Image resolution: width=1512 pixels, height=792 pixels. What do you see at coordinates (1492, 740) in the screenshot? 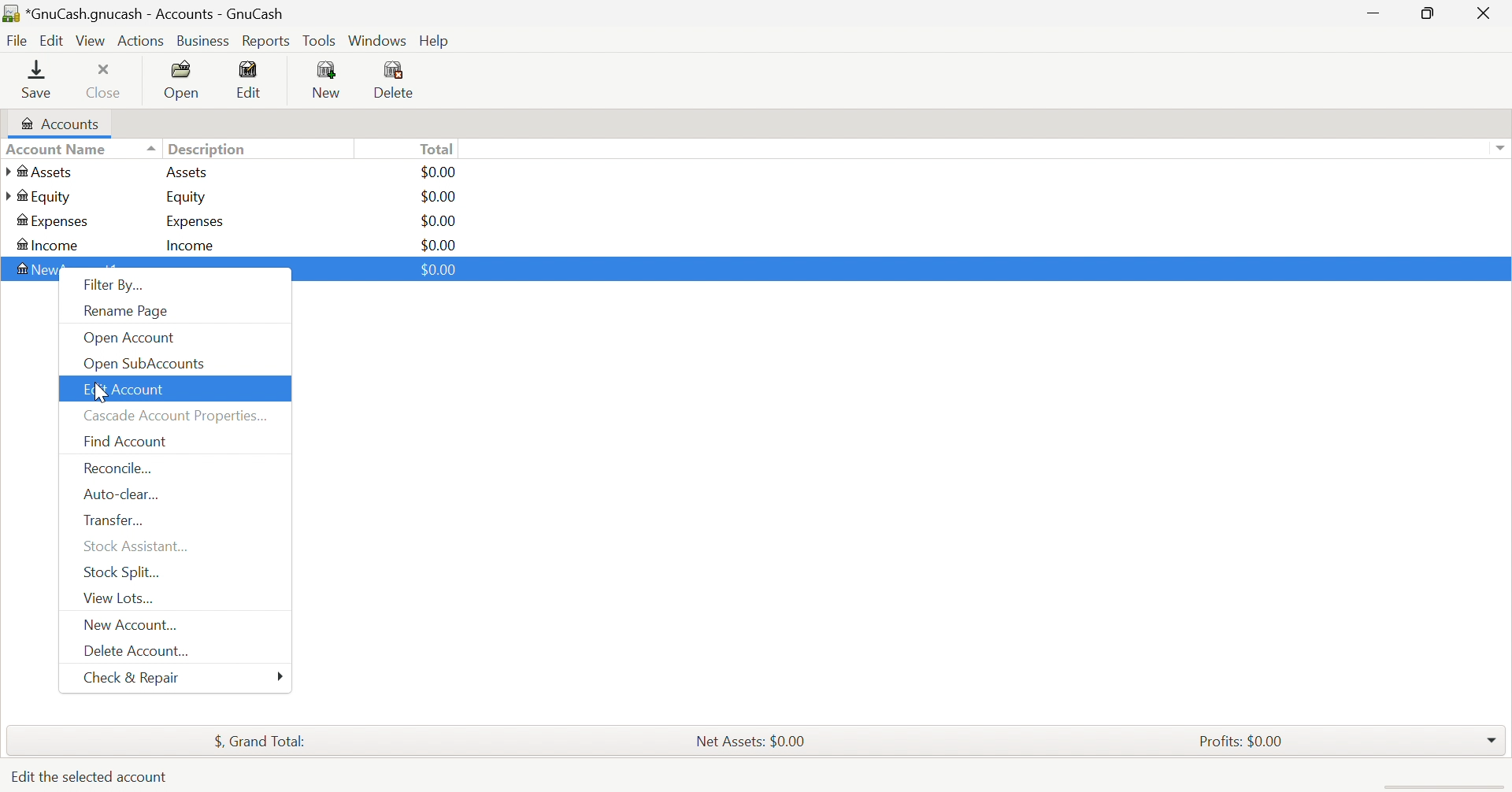
I see `Drop Down` at bounding box center [1492, 740].